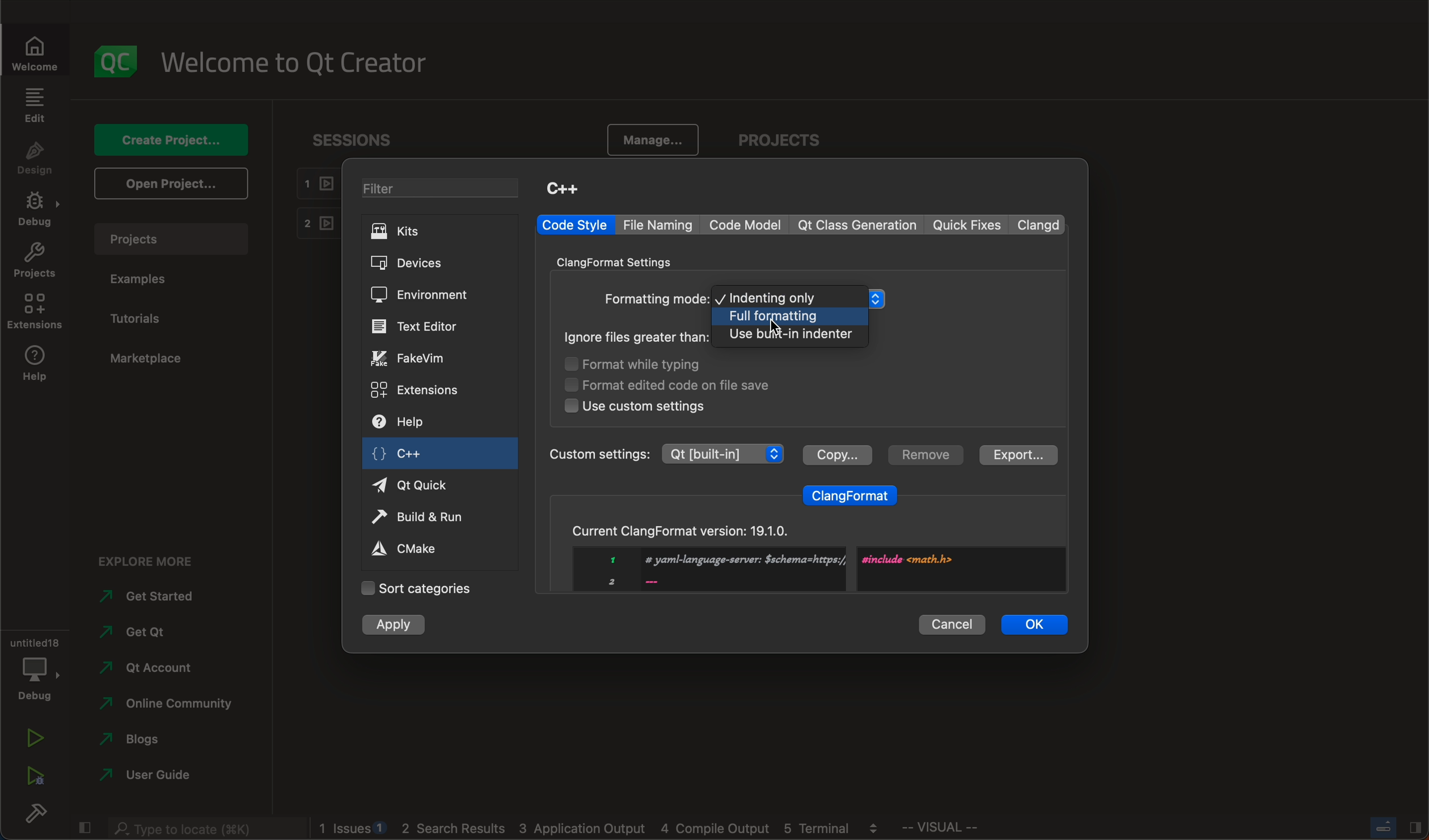 This screenshot has width=1429, height=840. I want to click on built in indenter, so click(792, 336).